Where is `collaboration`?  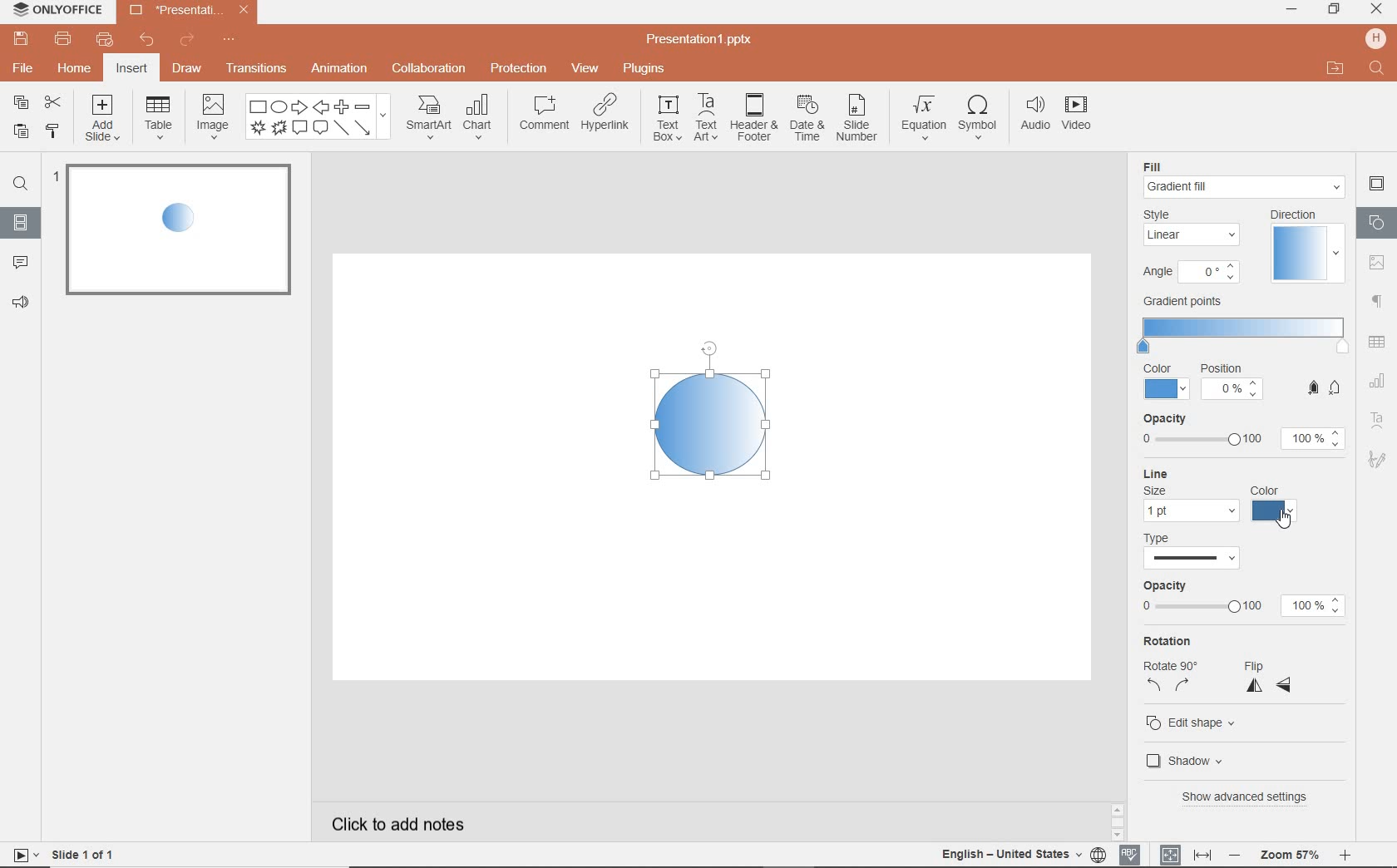 collaboration is located at coordinates (430, 70).